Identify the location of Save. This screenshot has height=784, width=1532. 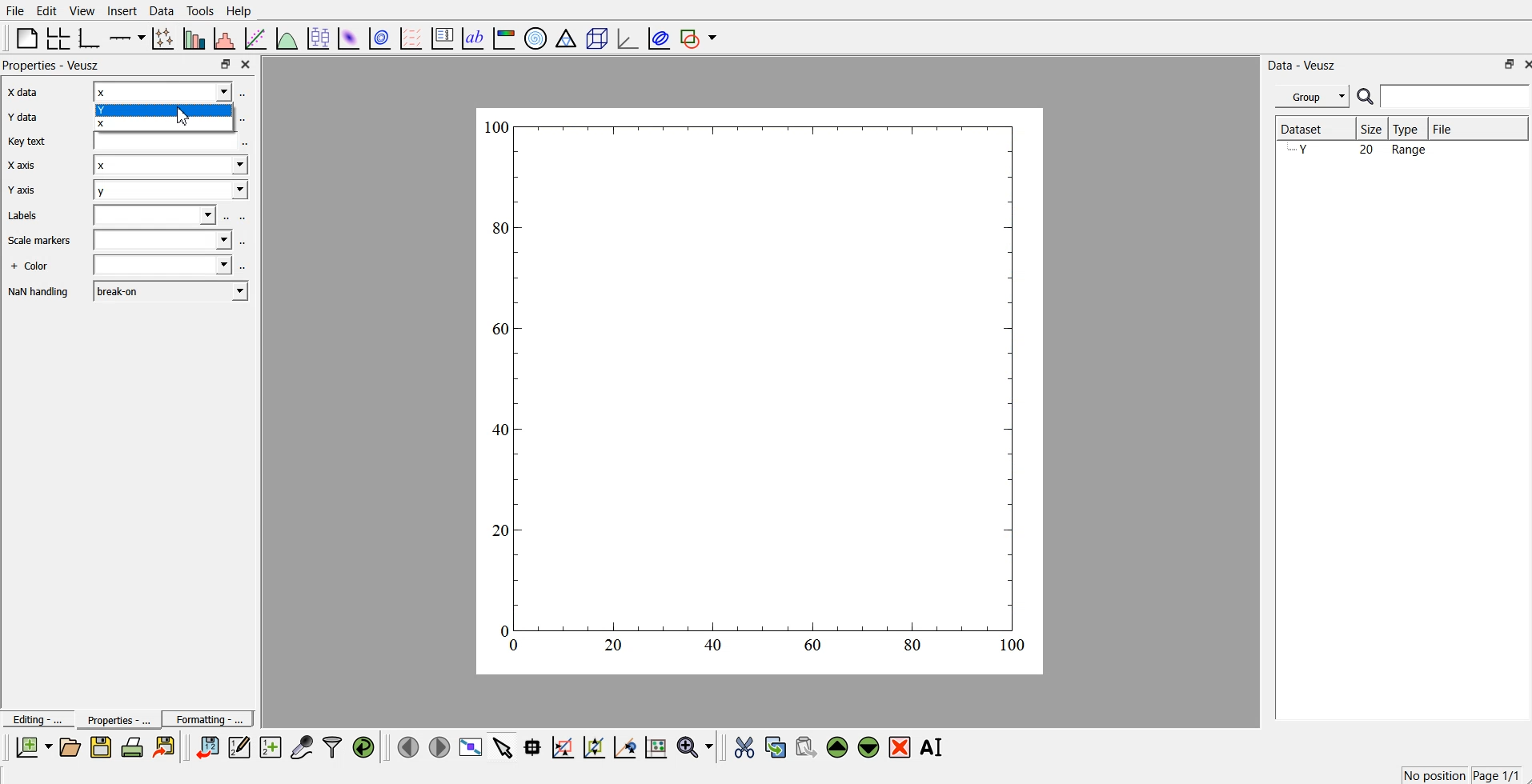
(101, 747).